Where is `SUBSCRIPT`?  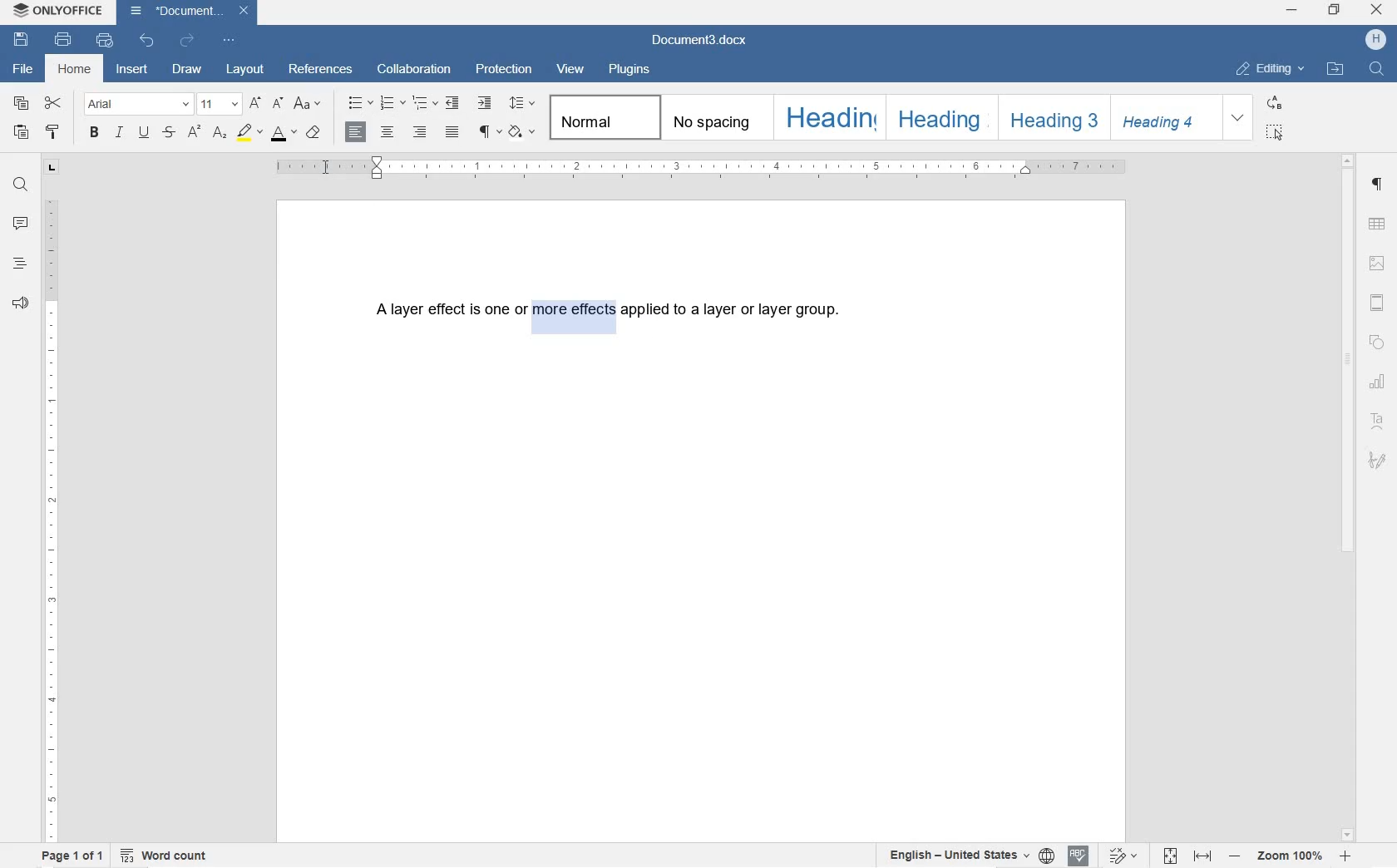 SUBSCRIPT is located at coordinates (220, 133).